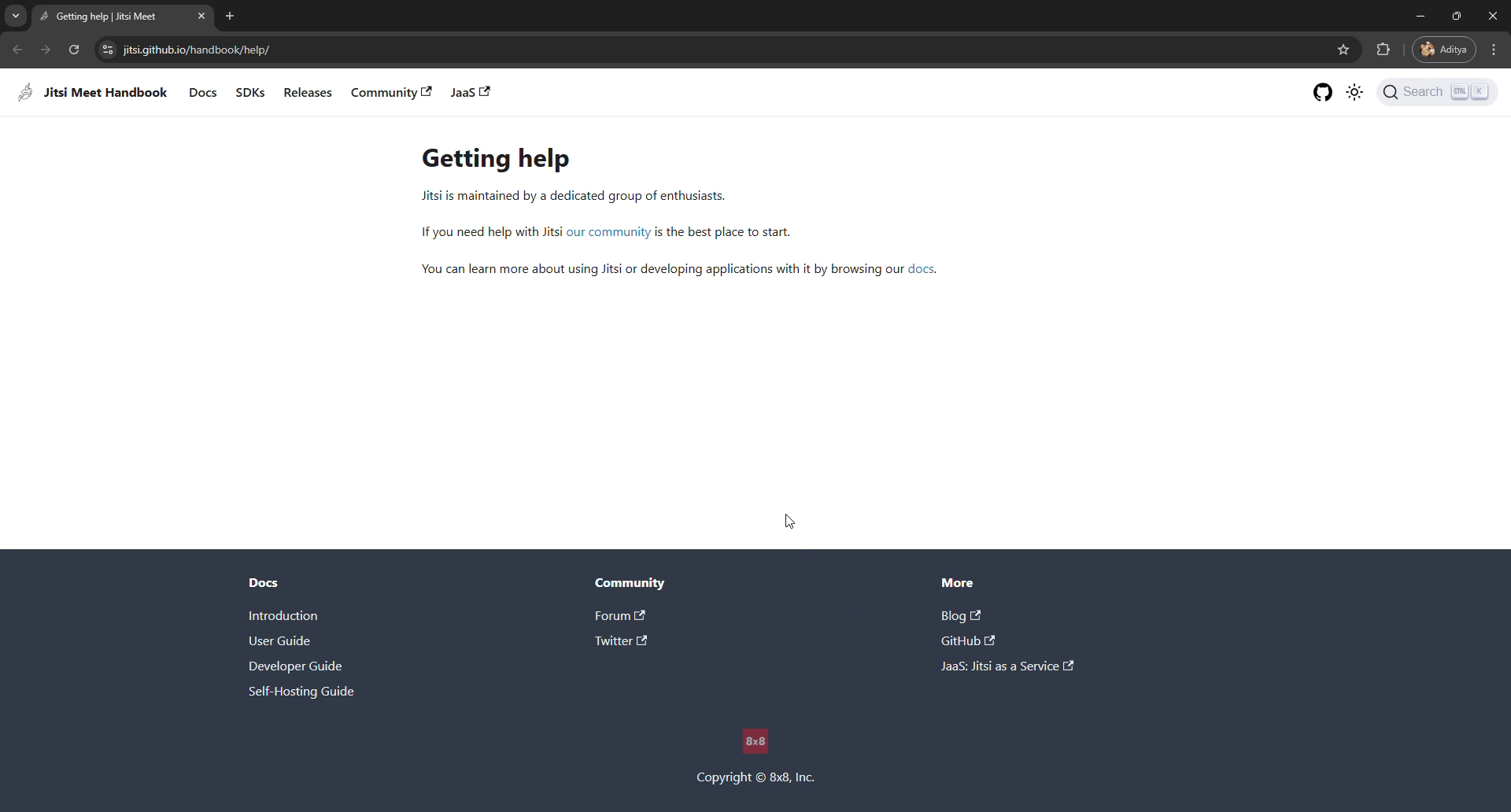 This screenshot has width=1511, height=812. Describe the element at coordinates (635, 585) in the screenshot. I see `community` at that location.